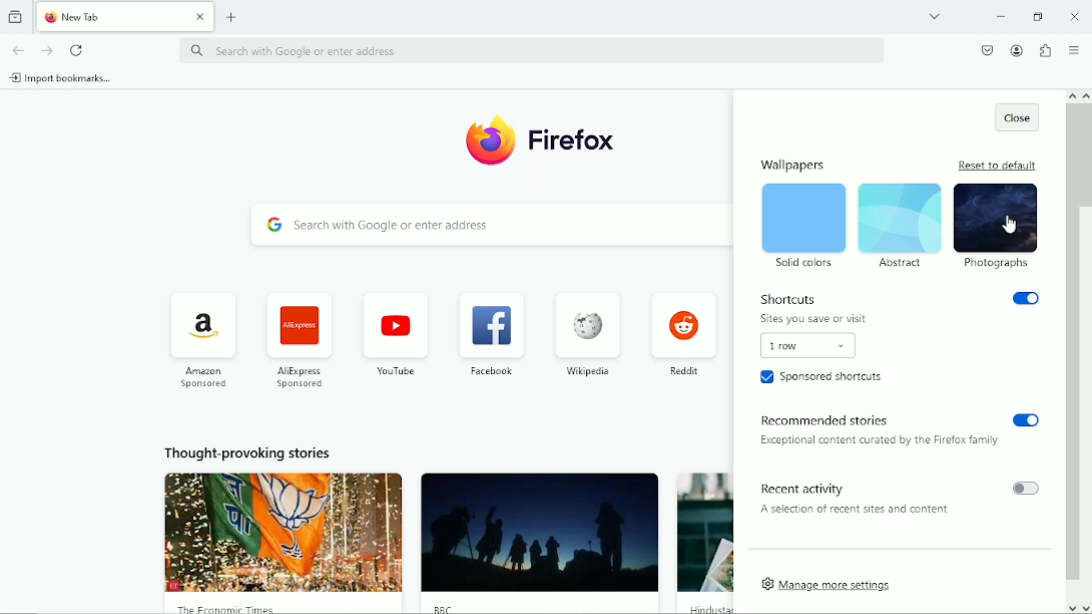 The width and height of the screenshot is (1092, 614). Describe the element at coordinates (199, 340) in the screenshot. I see `Amazon` at that location.